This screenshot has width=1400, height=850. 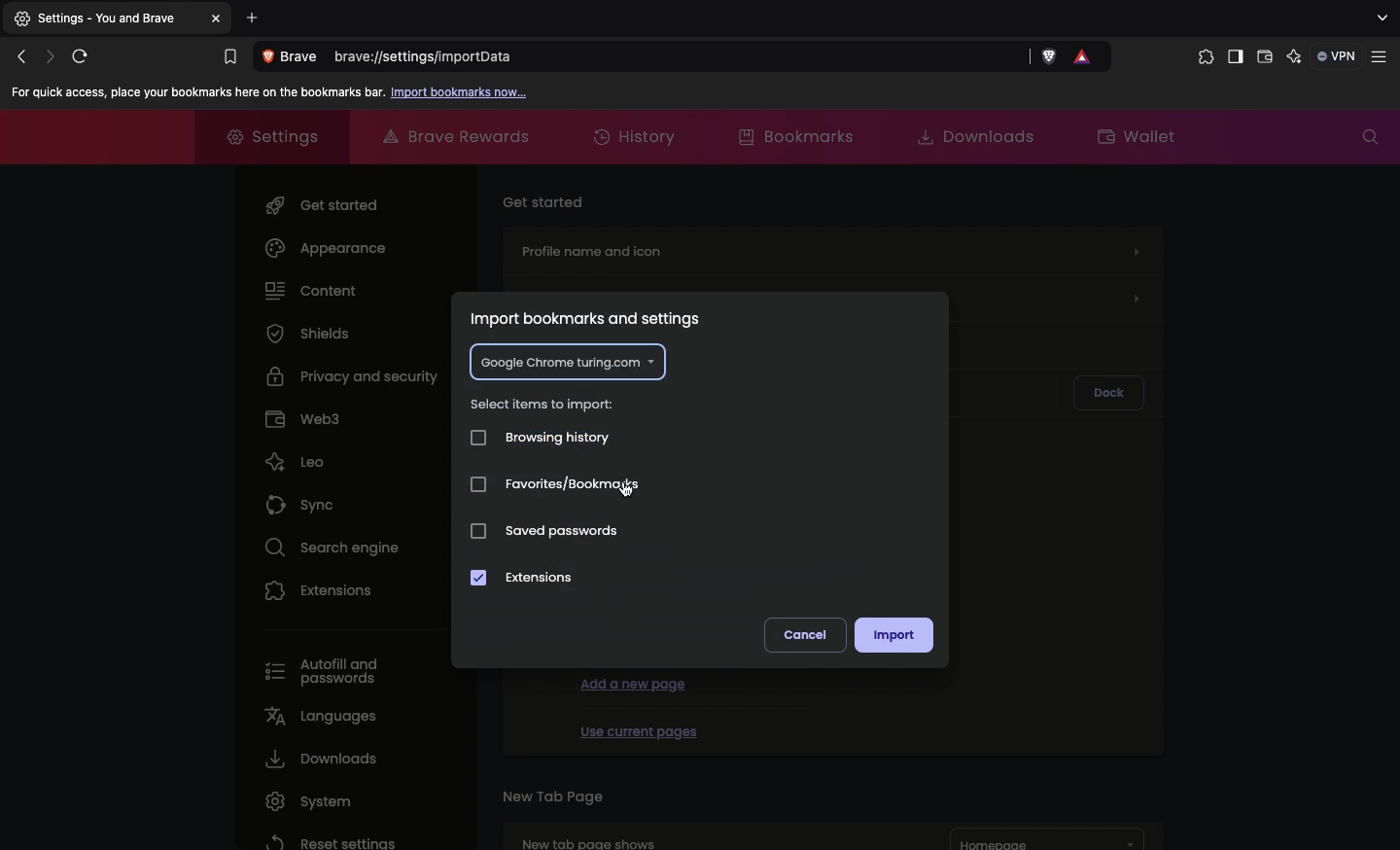 What do you see at coordinates (1382, 57) in the screenshot?
I see `Customize and control brave` at bounding box center [1382, 57].